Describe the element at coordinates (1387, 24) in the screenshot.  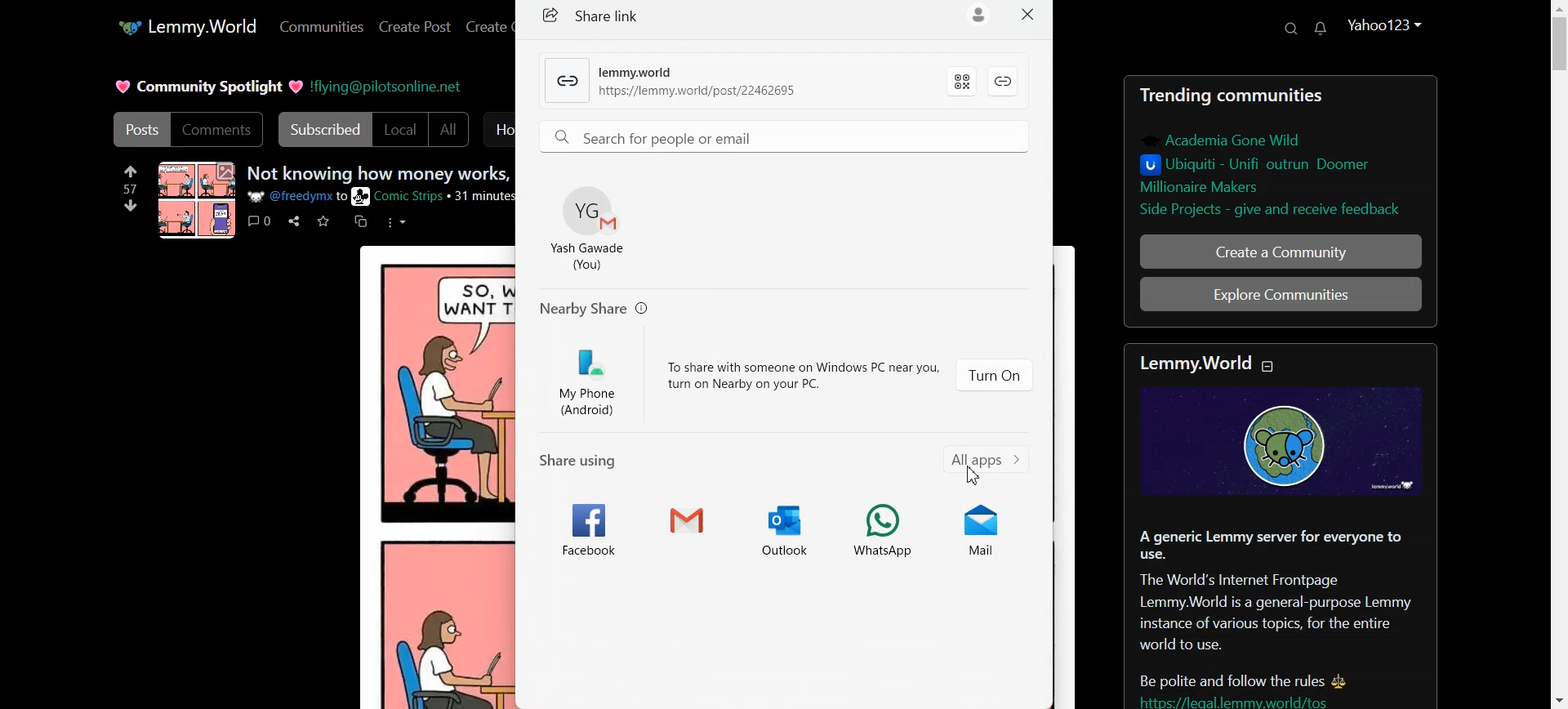
I see `Profile` at that location.